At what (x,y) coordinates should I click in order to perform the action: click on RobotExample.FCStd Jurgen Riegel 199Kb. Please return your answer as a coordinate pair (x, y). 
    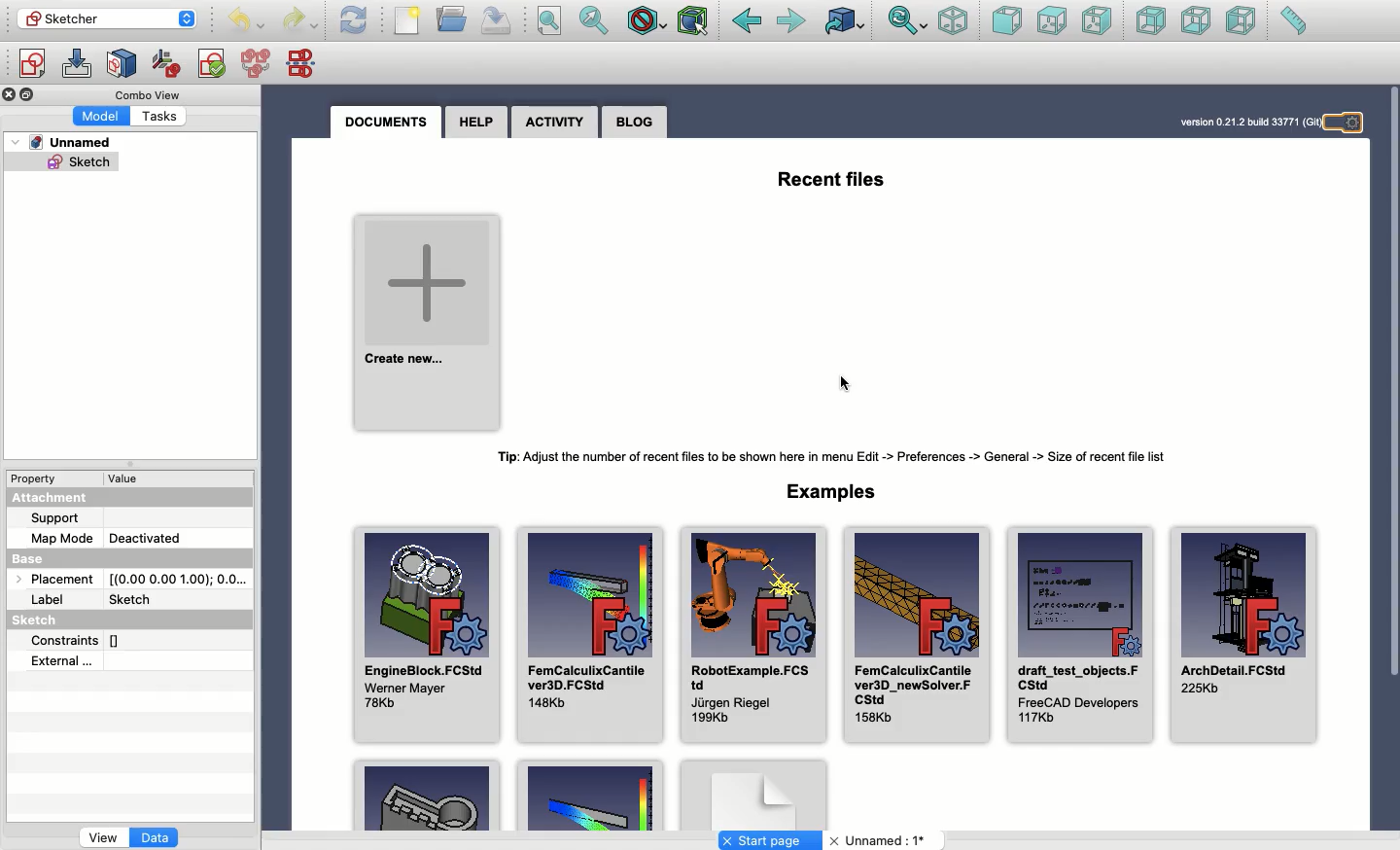
    Looking at the image, I should click on (752, 633).